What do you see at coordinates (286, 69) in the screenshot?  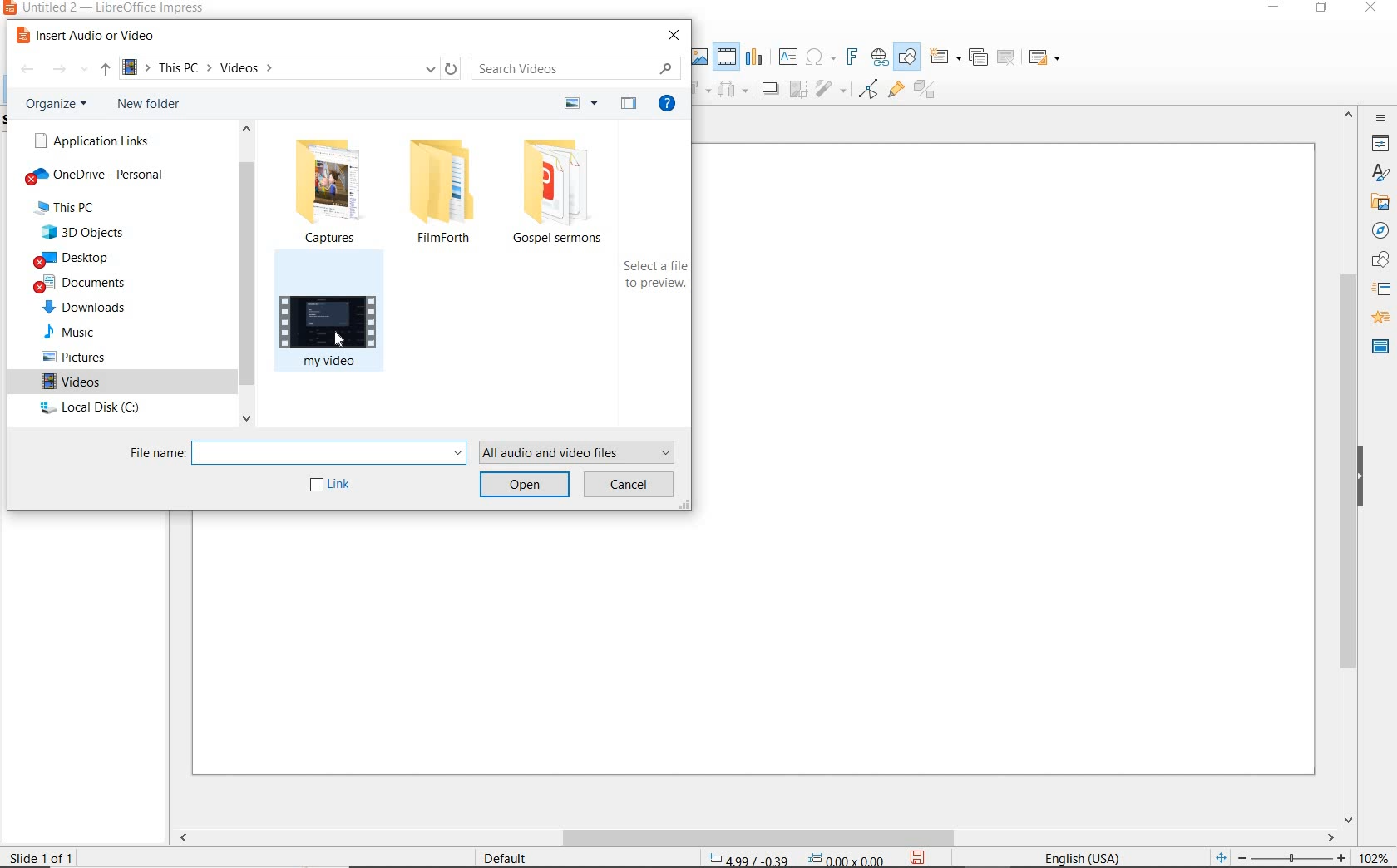 I see `PATH` at bounding box center [286, 69].